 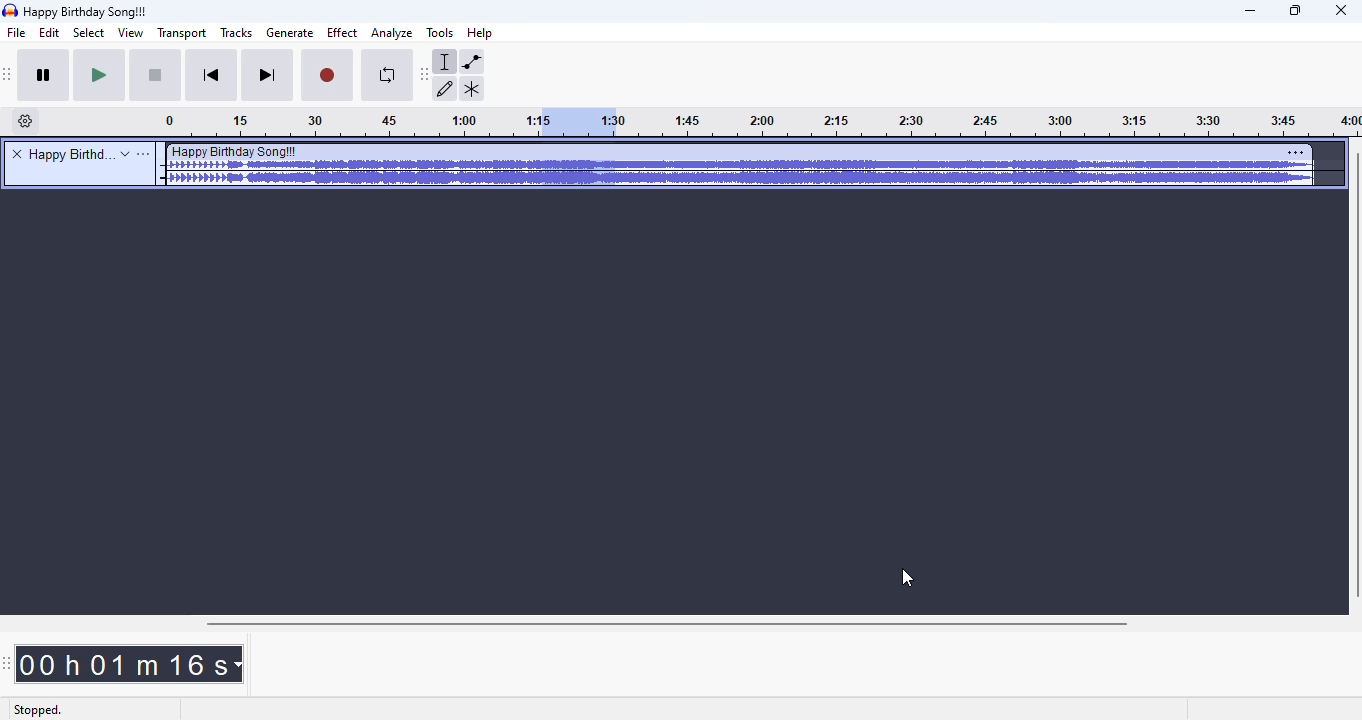 What do you see at coordinates (129, 33) in the screenshot?
I see `view` at bounding box center [129, 33].